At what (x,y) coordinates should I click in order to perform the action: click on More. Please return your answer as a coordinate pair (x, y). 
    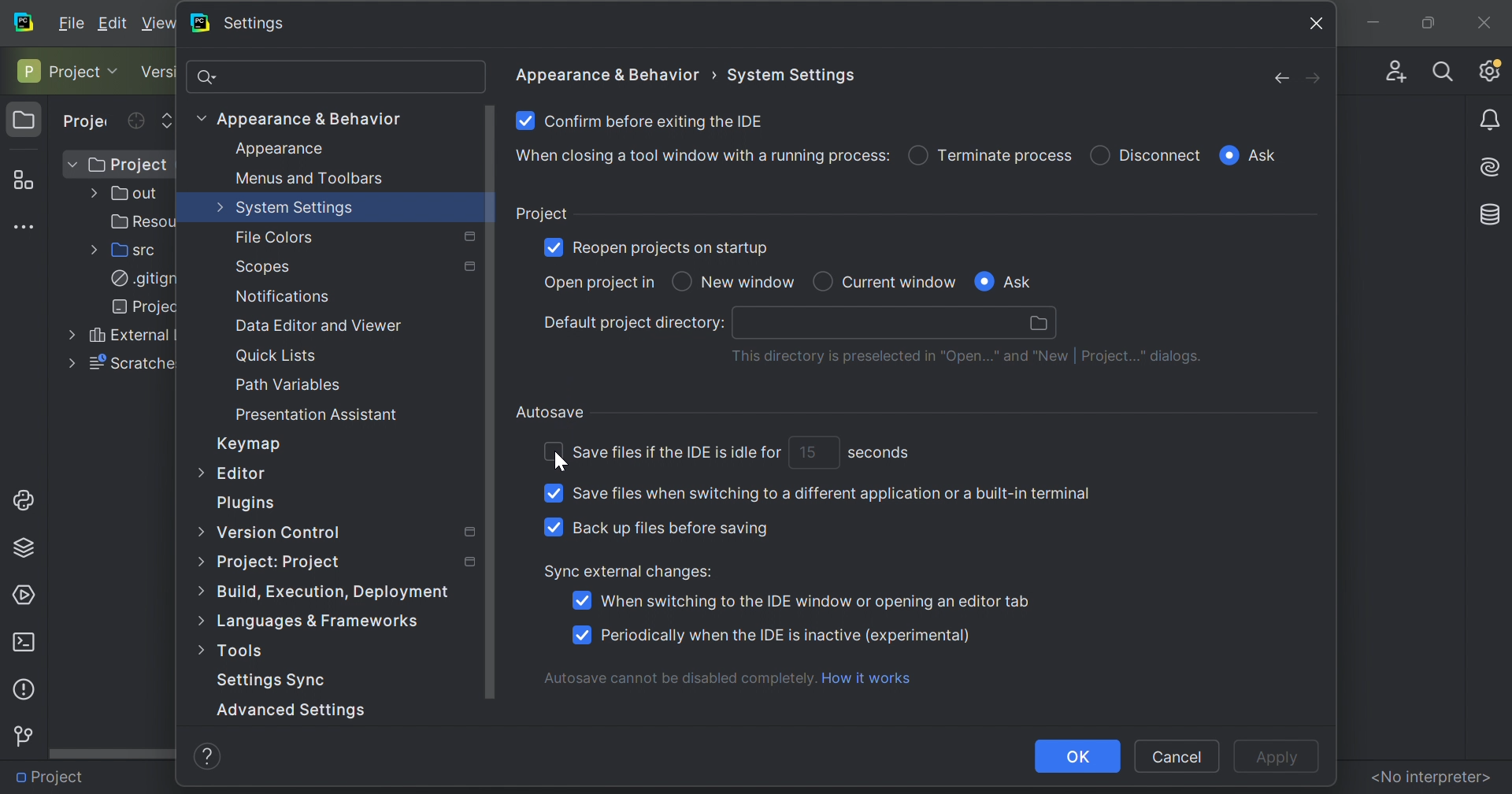
    Looking at the image, I should click on (217, 206).